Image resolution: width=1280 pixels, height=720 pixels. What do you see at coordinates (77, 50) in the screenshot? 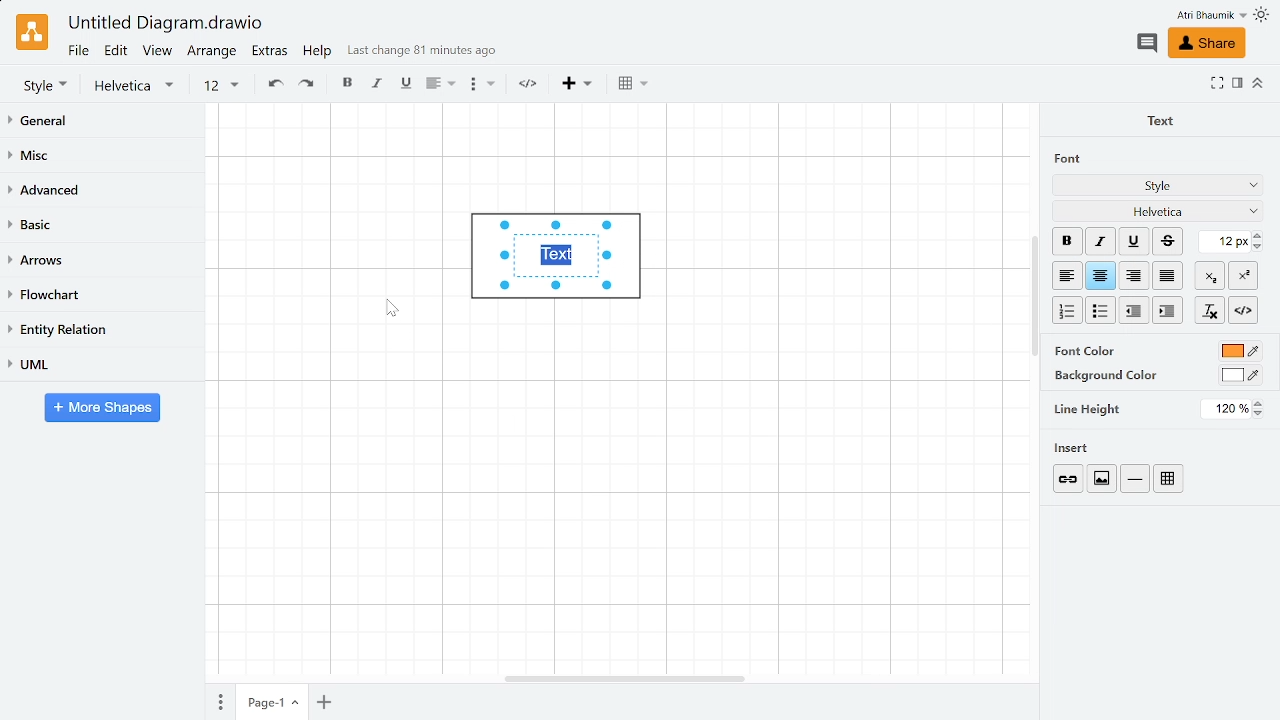
I see `File` at bounding box center [77, 50].